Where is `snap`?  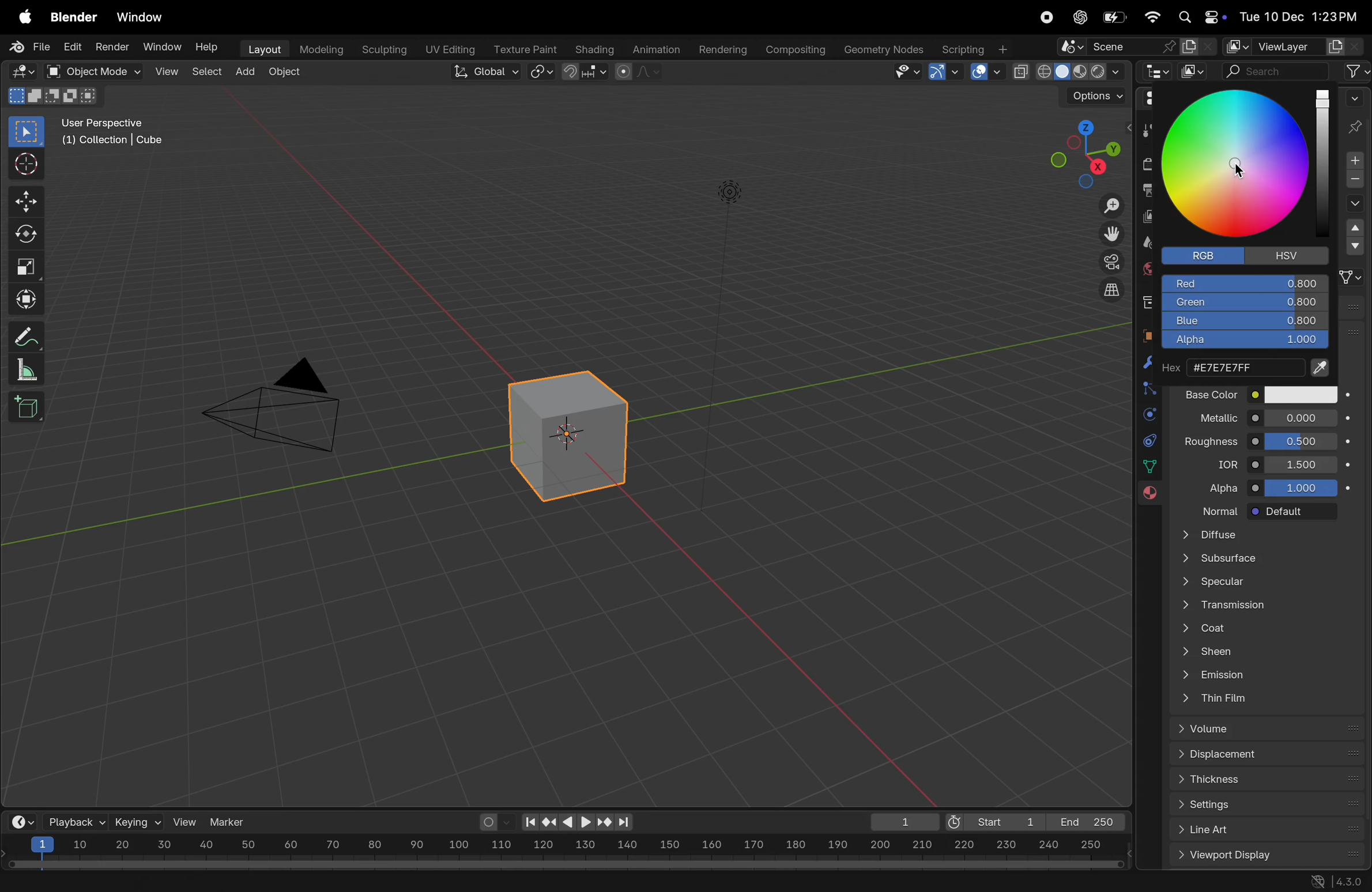
snap is located at coordinates (542, 73).